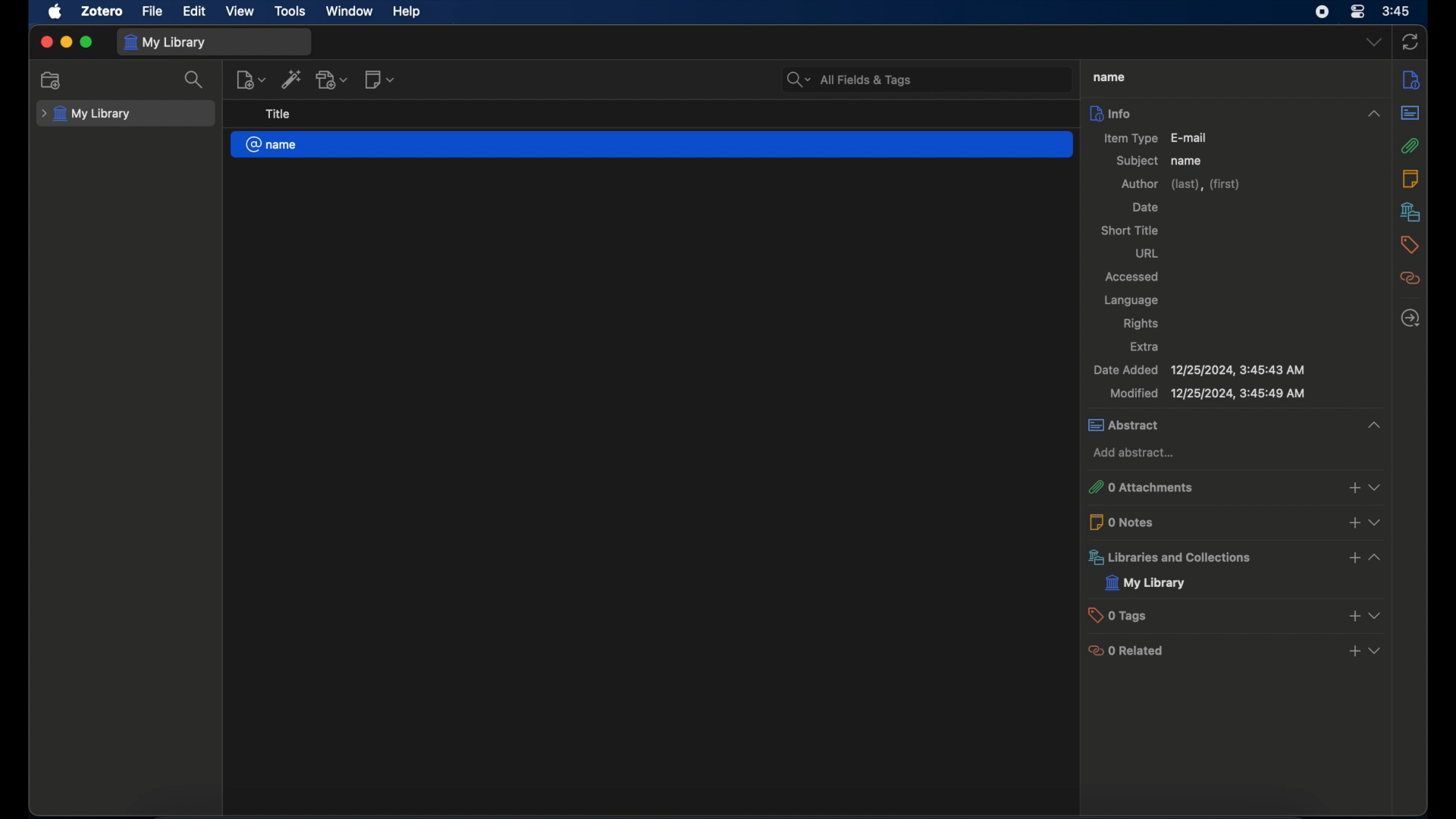 The height and width of the screenshot is (819, 1456). What do you see at coordinates (45, 42) in the screenshot?
I see `close` at bounding box center [45, 42].